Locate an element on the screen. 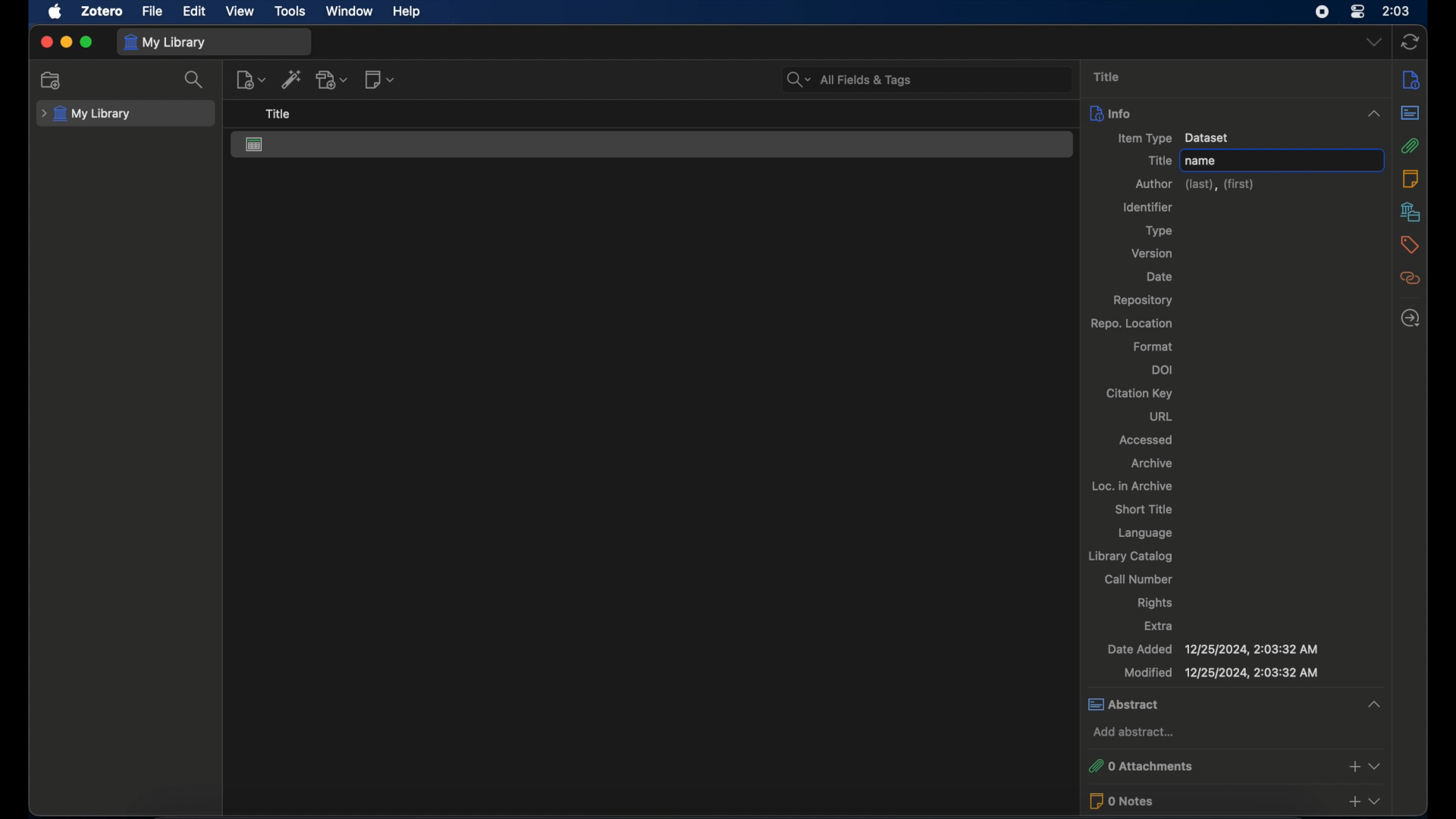 This screenshot has height=819, width=1456. date added is located at coordinates (1212, 648).